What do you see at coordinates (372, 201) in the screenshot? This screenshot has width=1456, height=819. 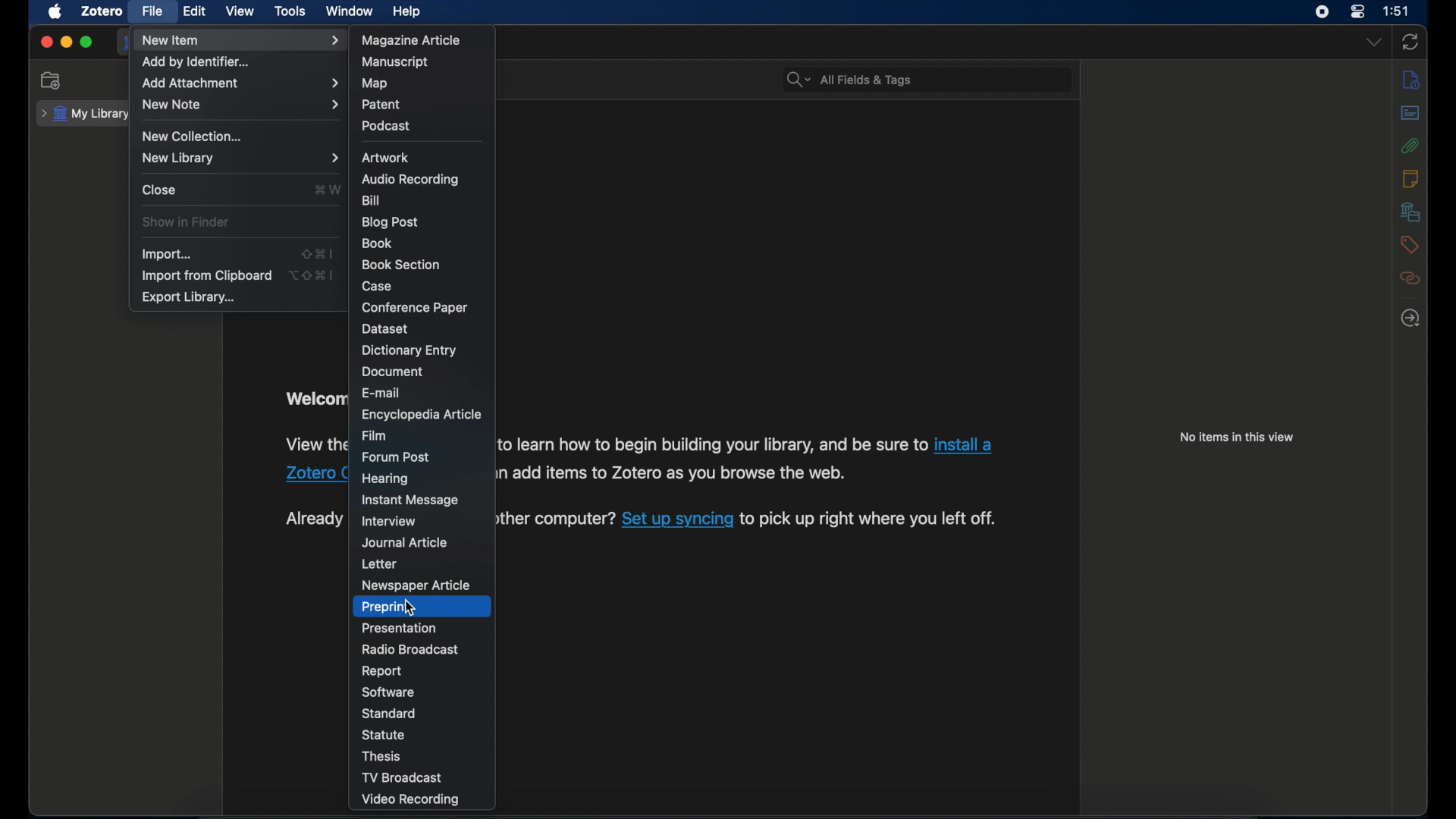 I see `bill` at bounding box center [372, 201].